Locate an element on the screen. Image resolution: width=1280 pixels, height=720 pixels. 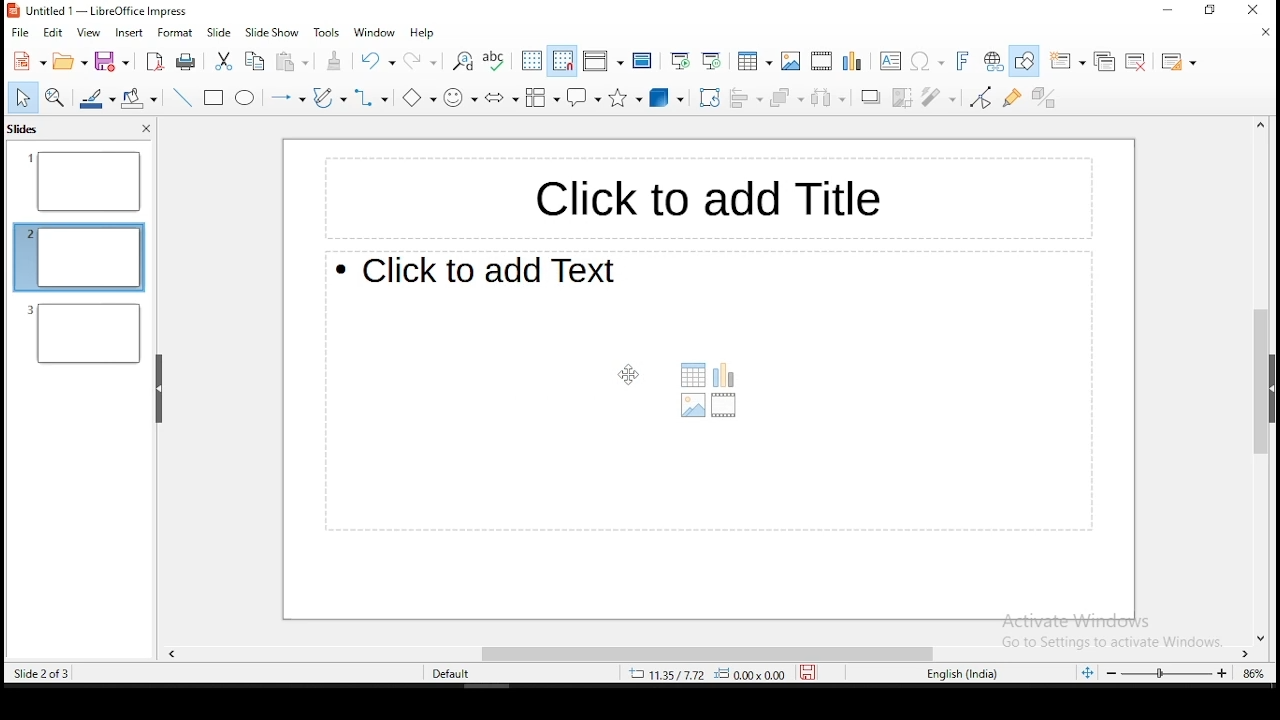
flowchart is located at coordinates (540, 99).